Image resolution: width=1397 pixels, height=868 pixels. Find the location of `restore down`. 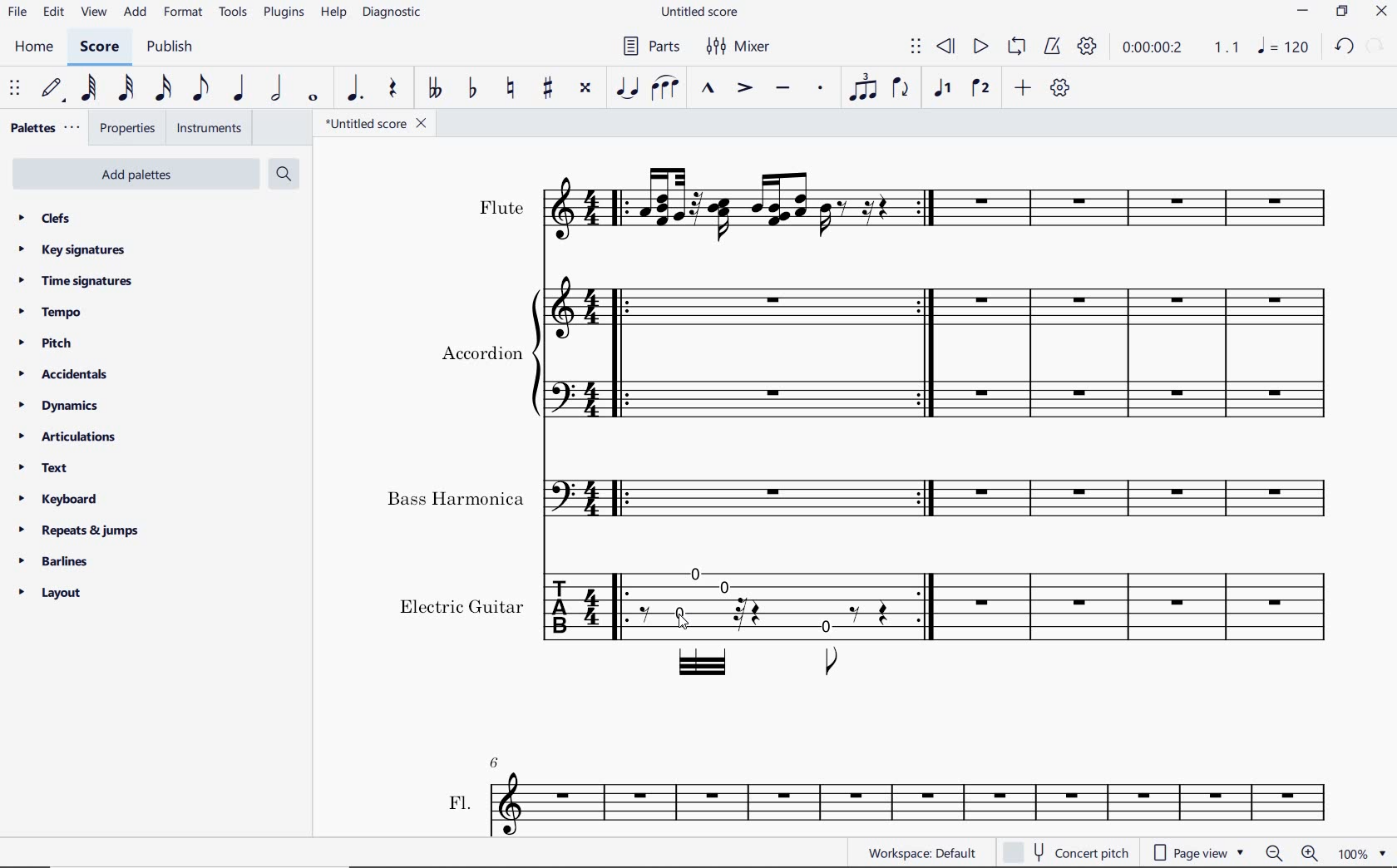

restore down is located at coordinates (1375, 47).